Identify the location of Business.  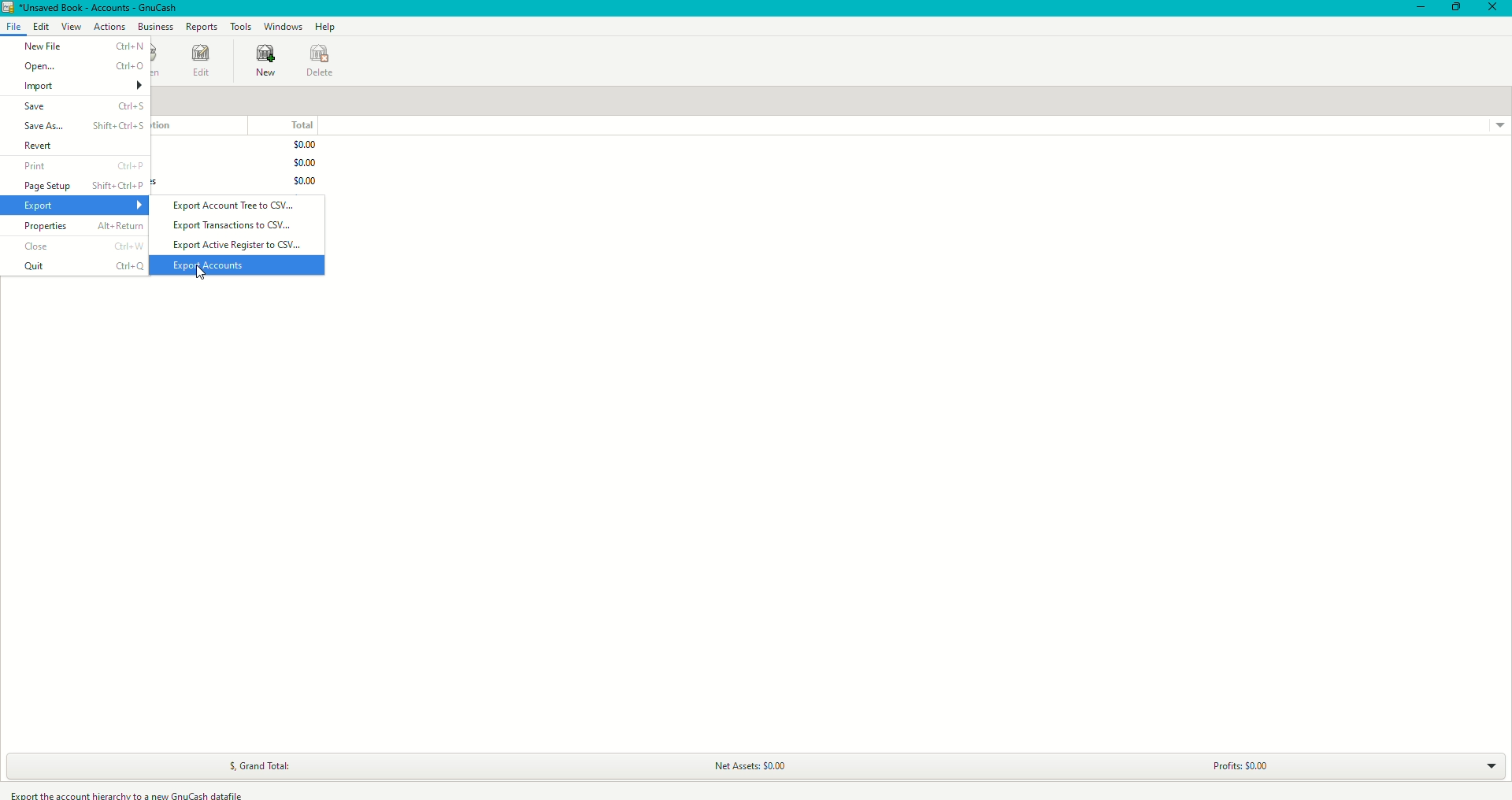
(154, 28).